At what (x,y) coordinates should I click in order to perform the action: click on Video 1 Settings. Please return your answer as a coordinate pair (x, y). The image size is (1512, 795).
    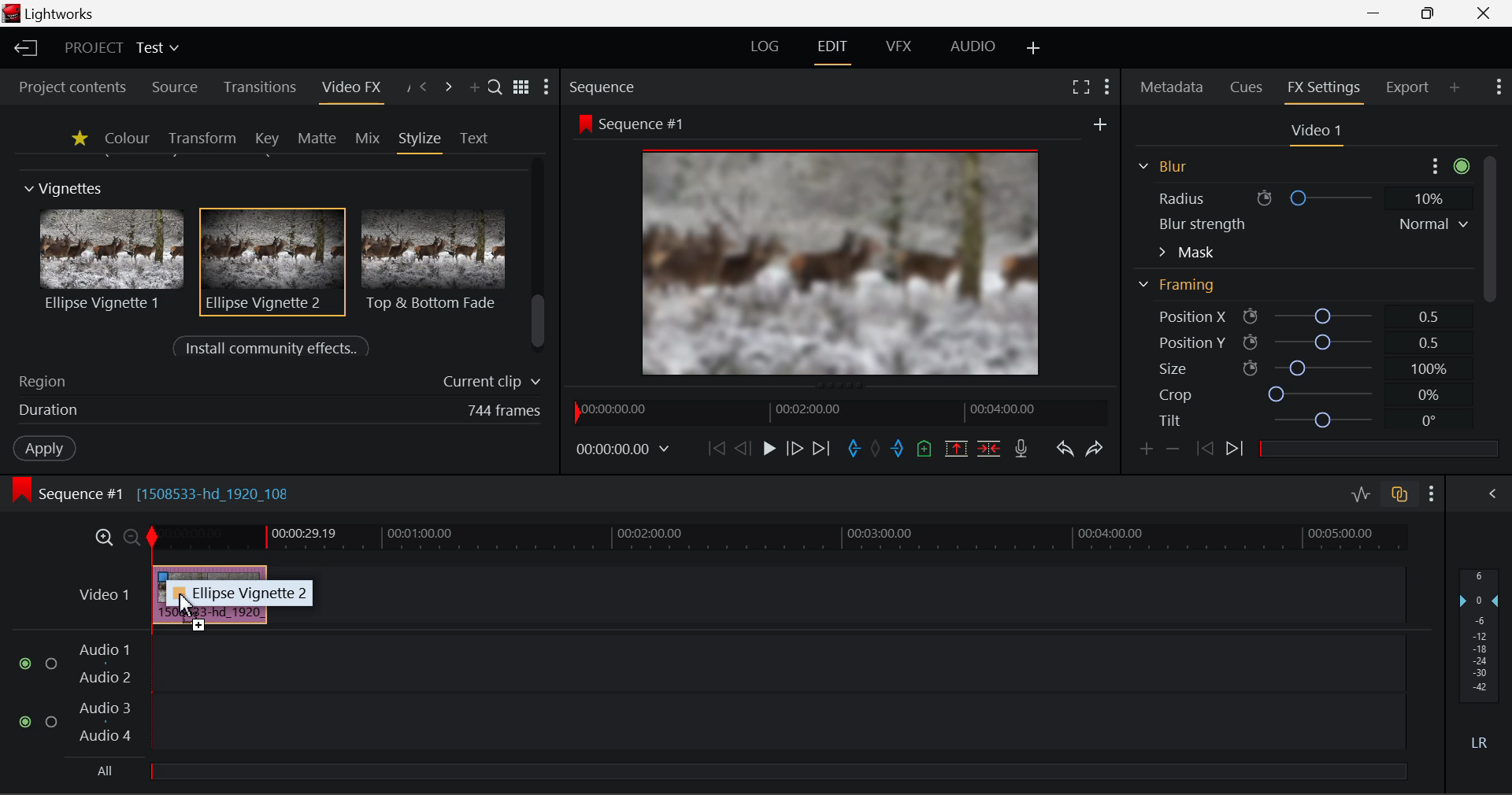
    Looking at the image, I should click on (1317, 132).